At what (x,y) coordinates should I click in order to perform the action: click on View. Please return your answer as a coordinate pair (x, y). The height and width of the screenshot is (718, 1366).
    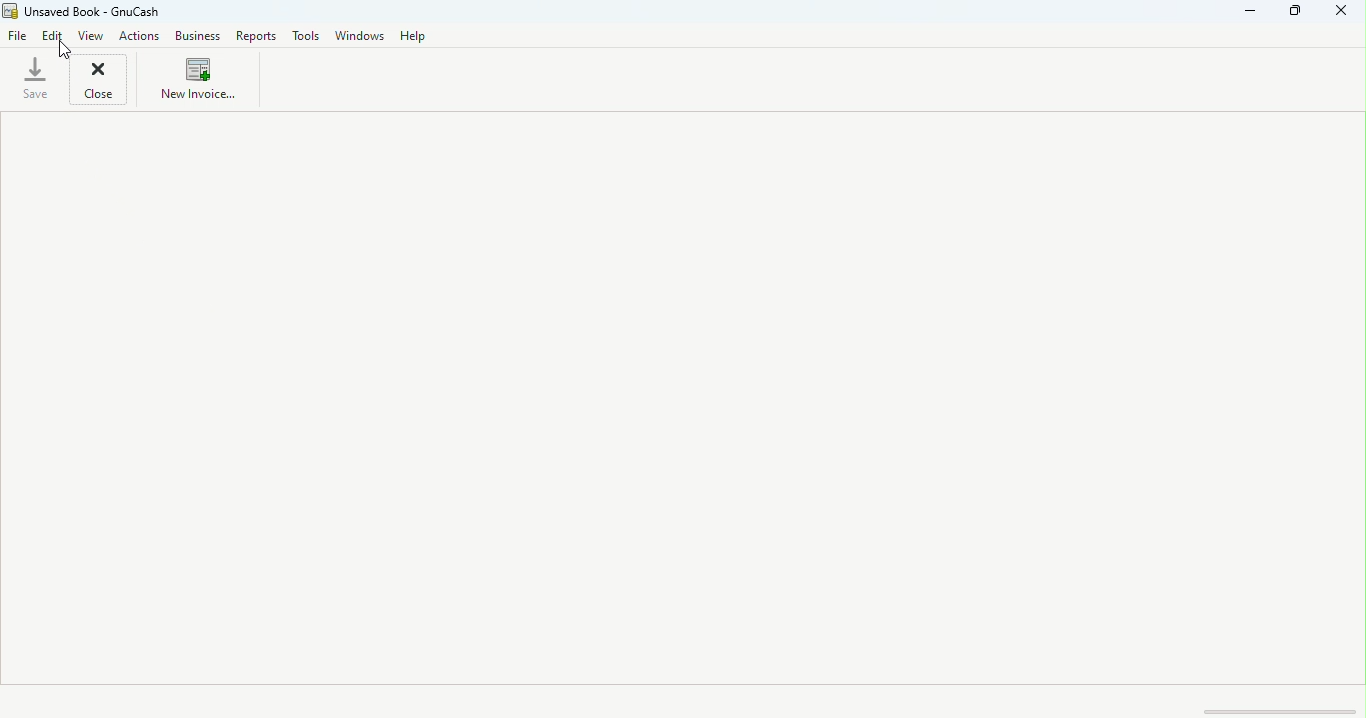
    Looking at the image, I should click on (92, 36).